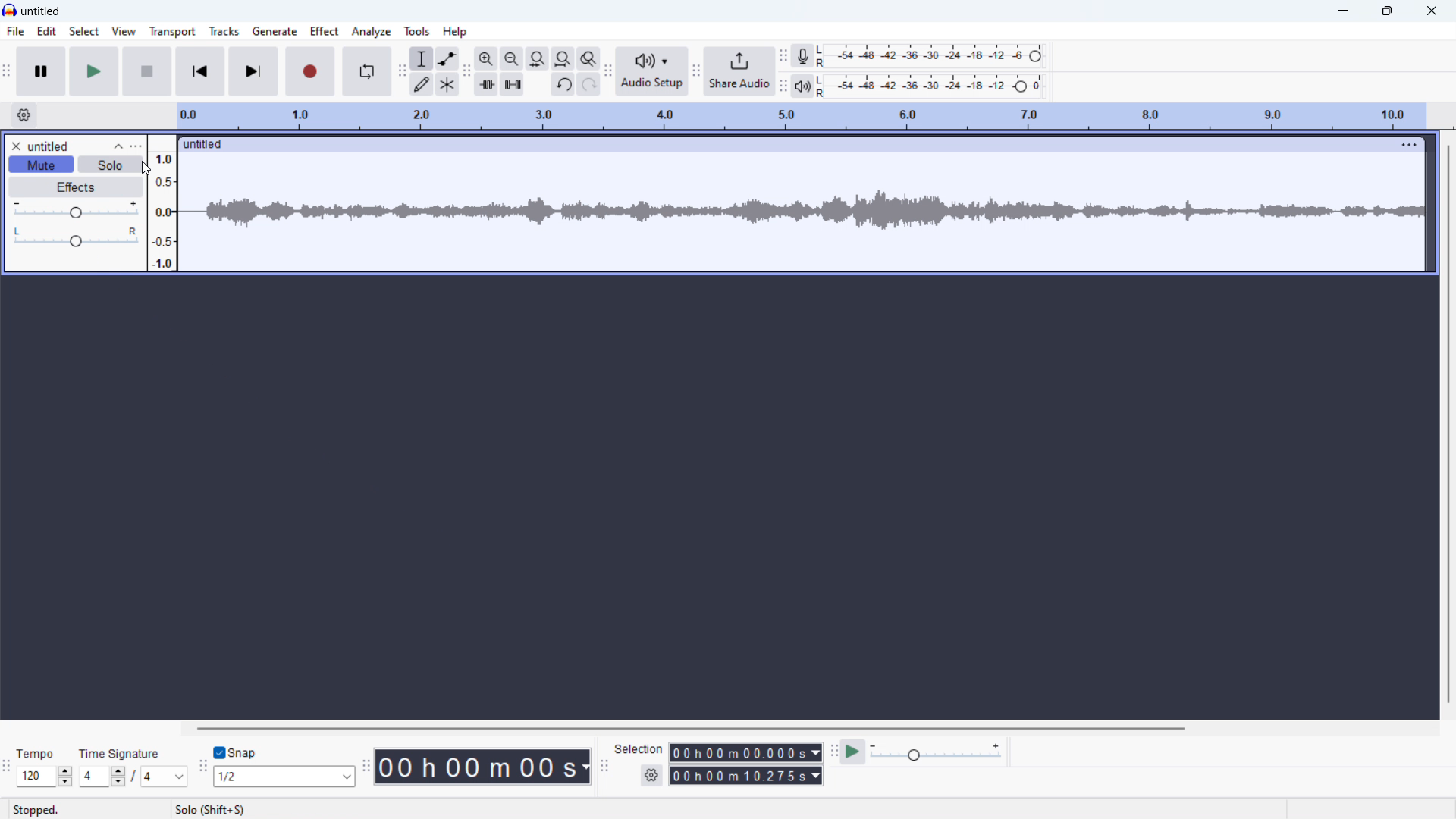 The image size is (1456, 819). Describe the element at coordinates (41, 71) in the screenshot. I see `pause` at that location.